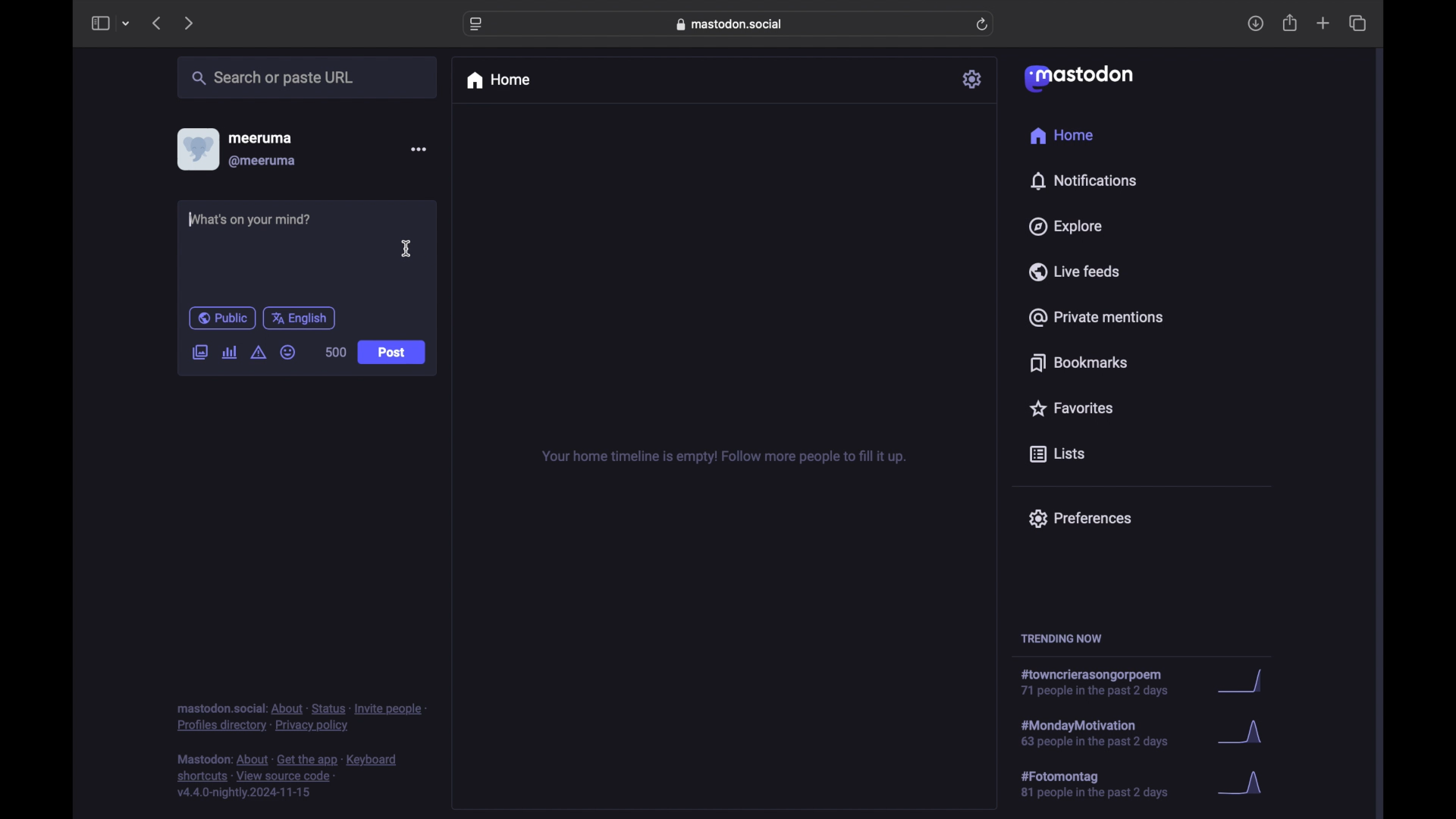 The width and height of the screenshot is (1456, 819). Describe the element at coordinates (1105, 783) in the screenshot. I see `hashtag trend` at that location.